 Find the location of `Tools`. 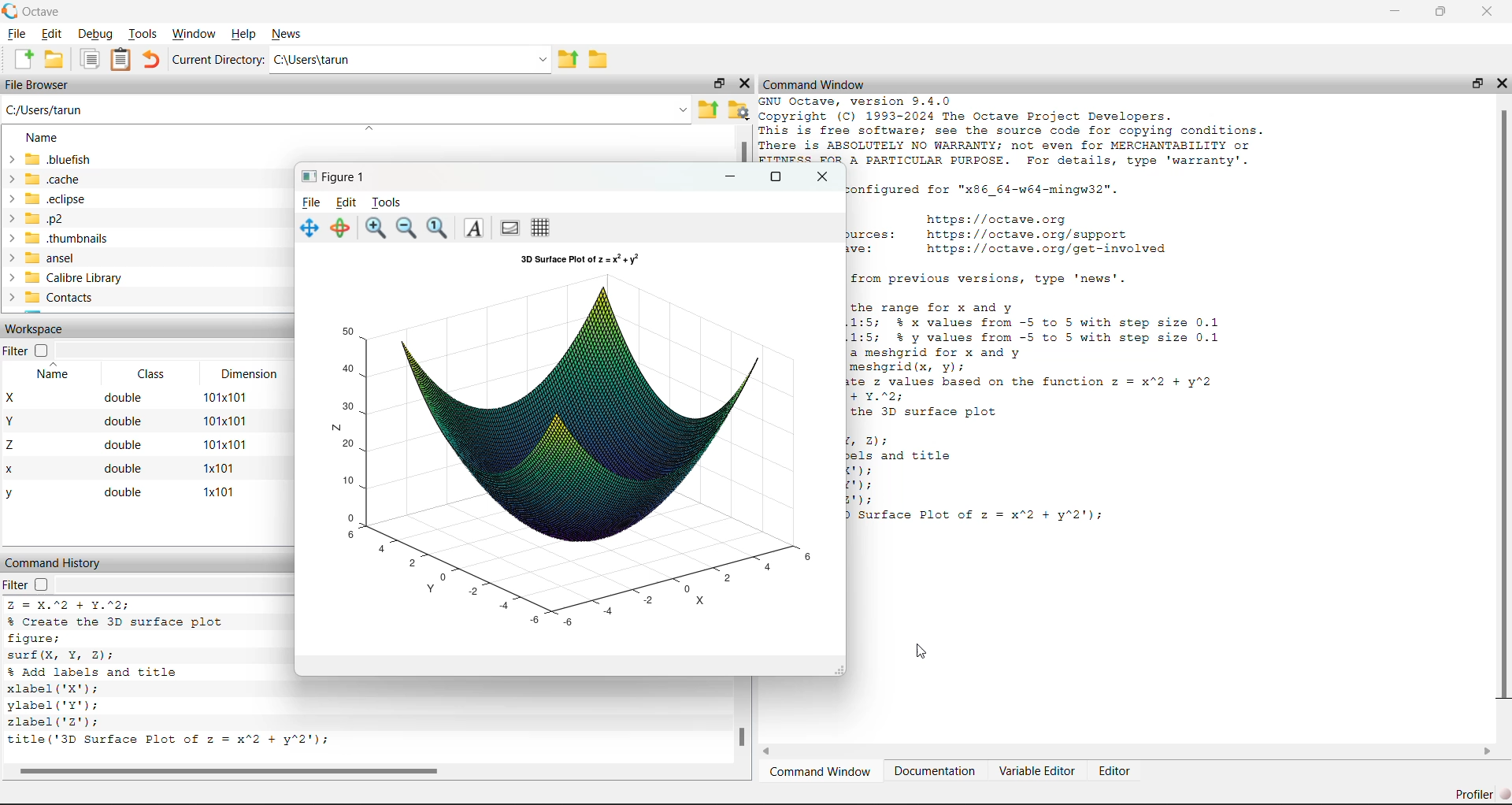

Tools is located at coordinates (388, 202).